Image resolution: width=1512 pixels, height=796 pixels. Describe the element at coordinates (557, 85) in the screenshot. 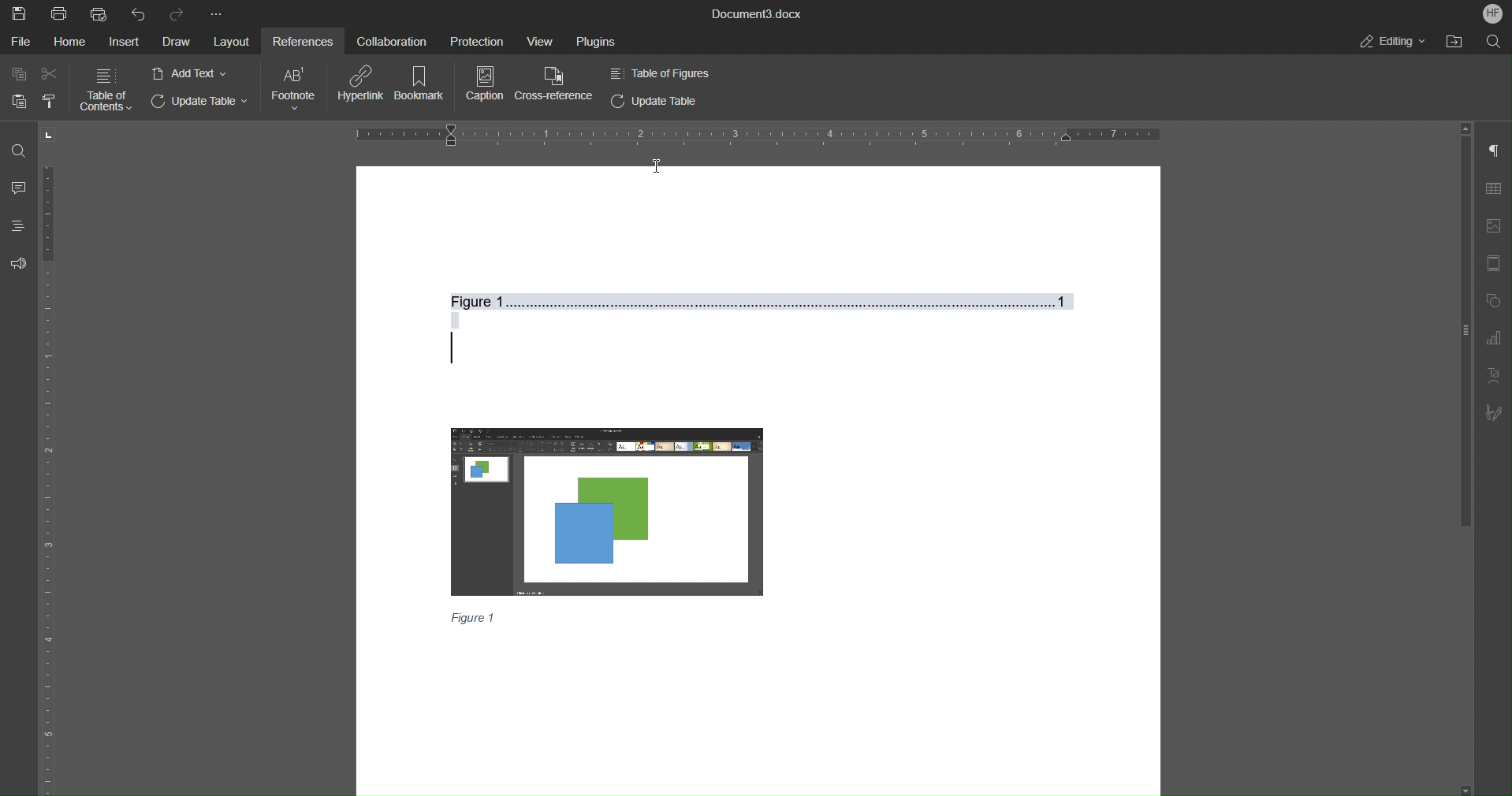

I see `Cross-Reference` at that location.